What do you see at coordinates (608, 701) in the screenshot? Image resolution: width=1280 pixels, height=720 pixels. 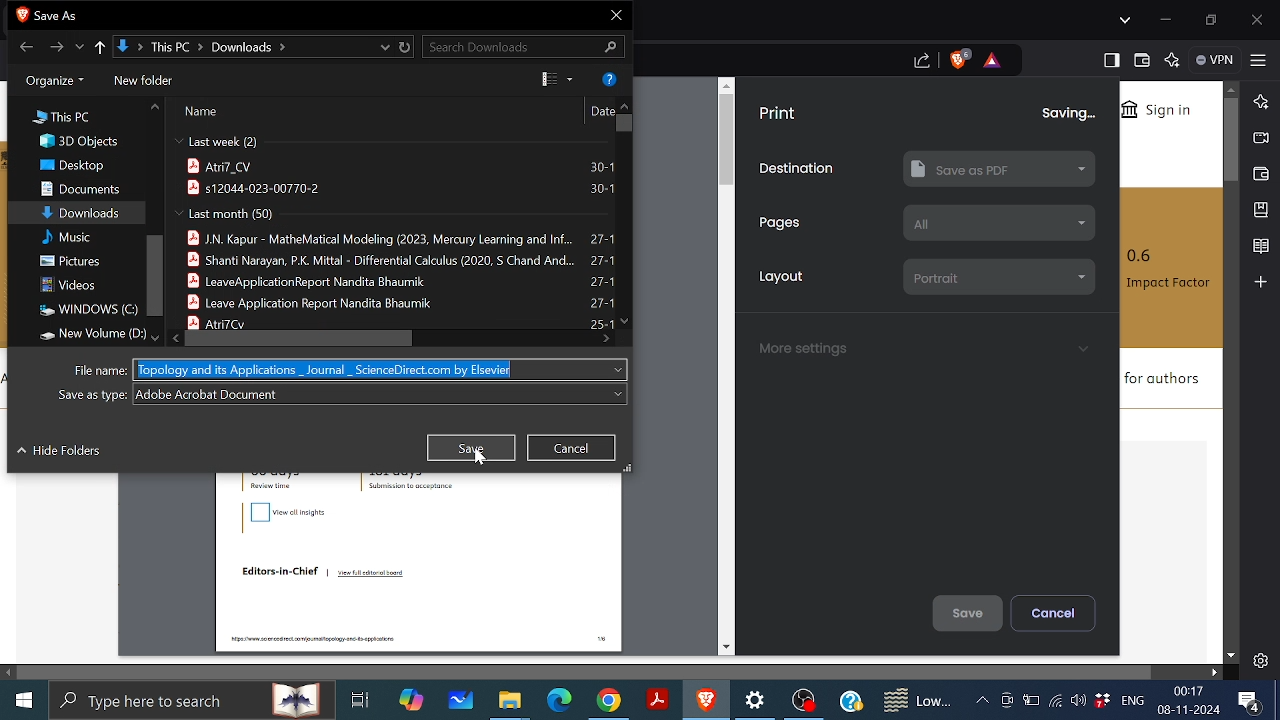 I see `Google Chrome` at bounding box center [608, 701].